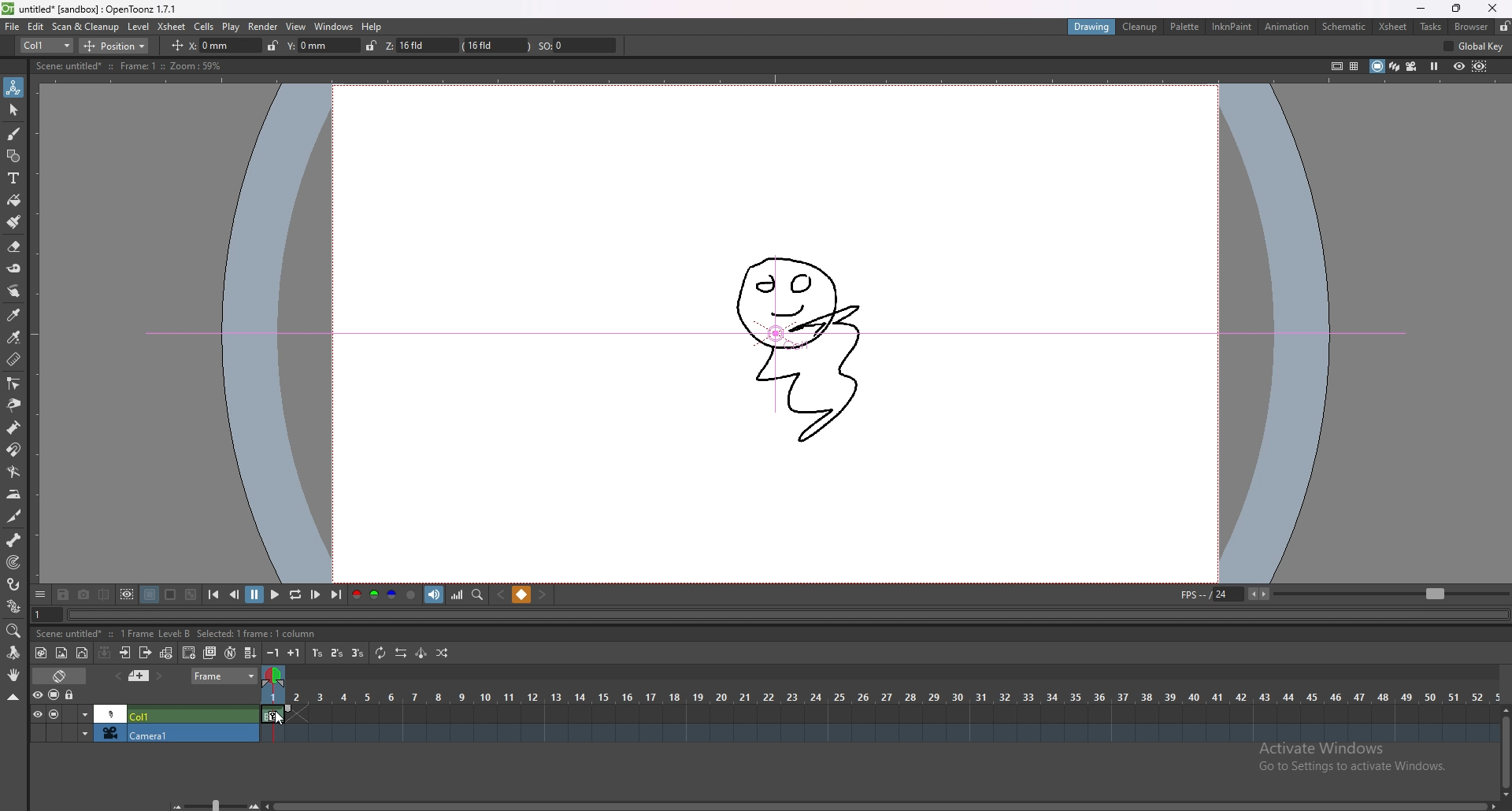 This screenshot has height=811, width=1512. I want to click on field guide, so click(1354, 66).